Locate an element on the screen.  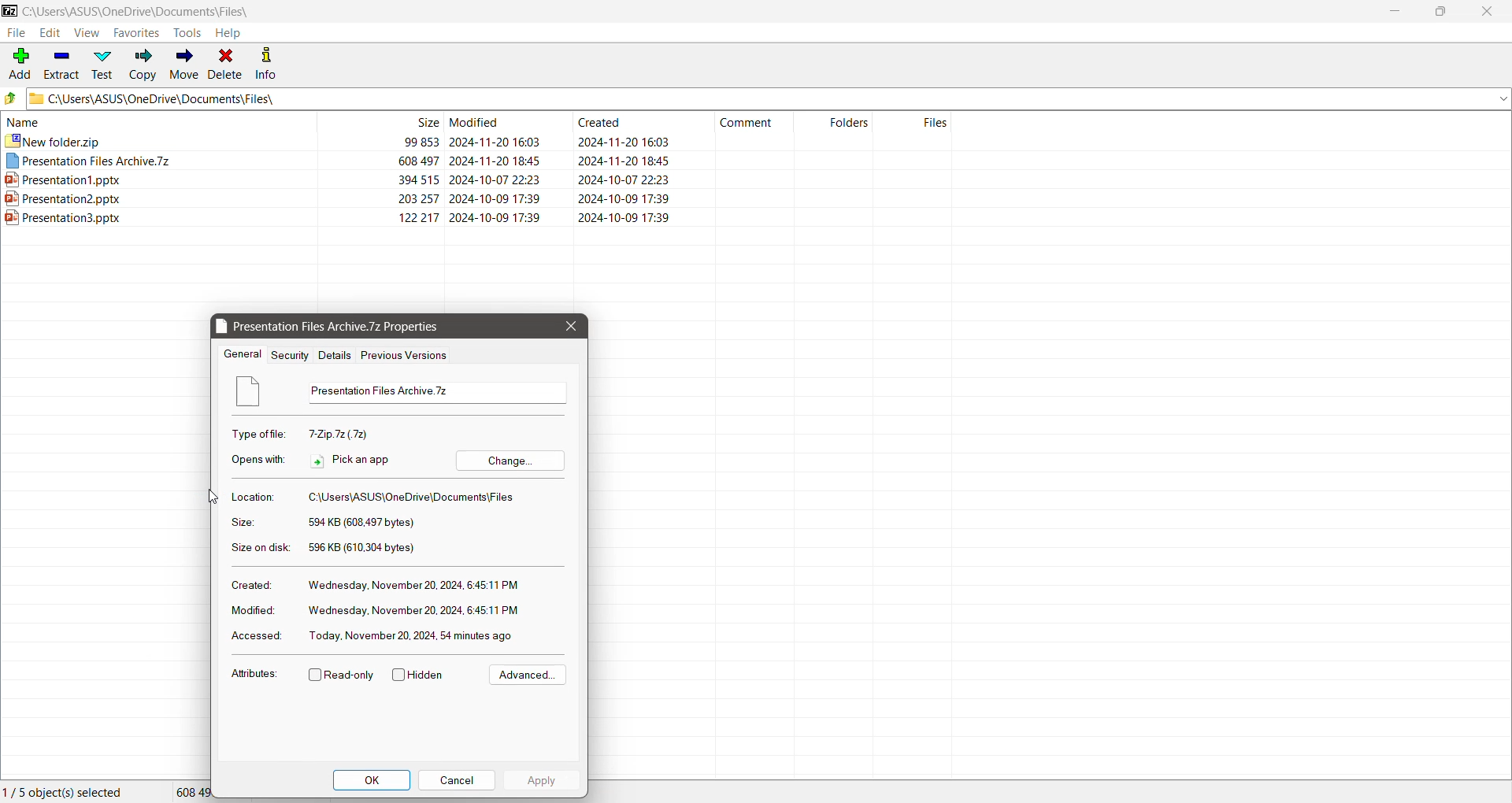
File size on disk is located at coordinates (365, 549).